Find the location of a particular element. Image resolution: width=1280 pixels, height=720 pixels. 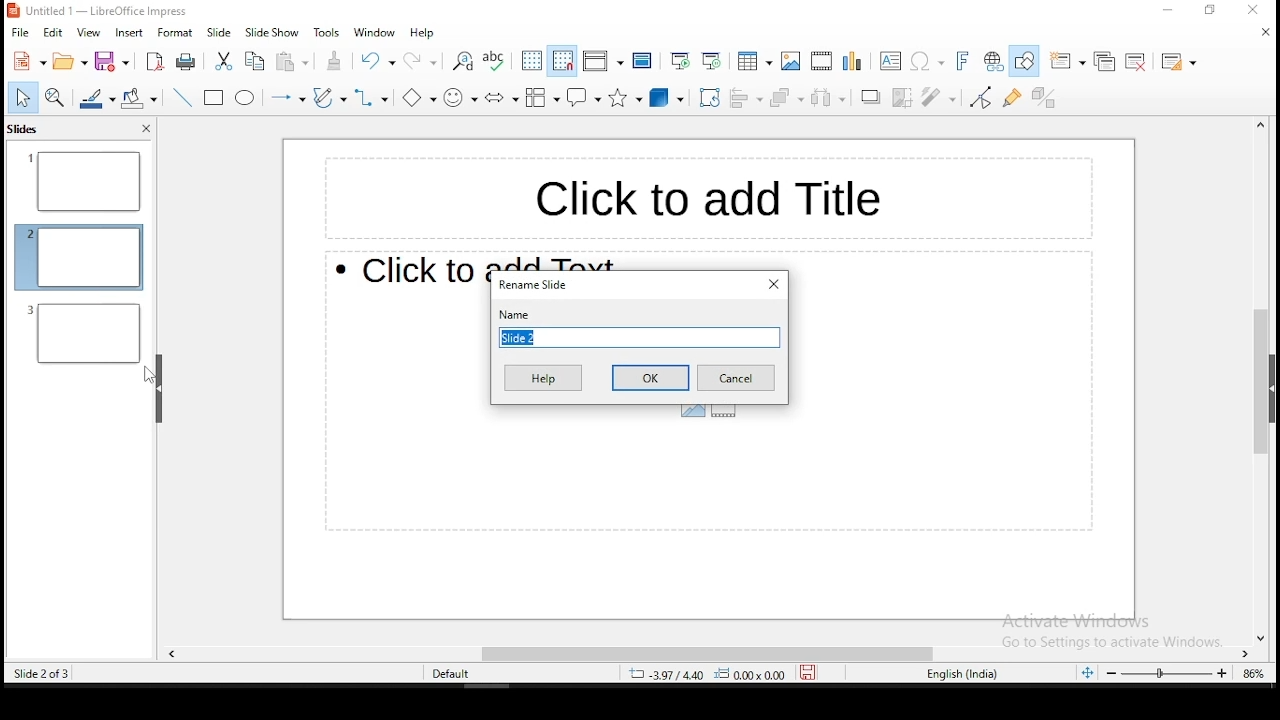

paint bucket tool is located at coordinates (139, 96).